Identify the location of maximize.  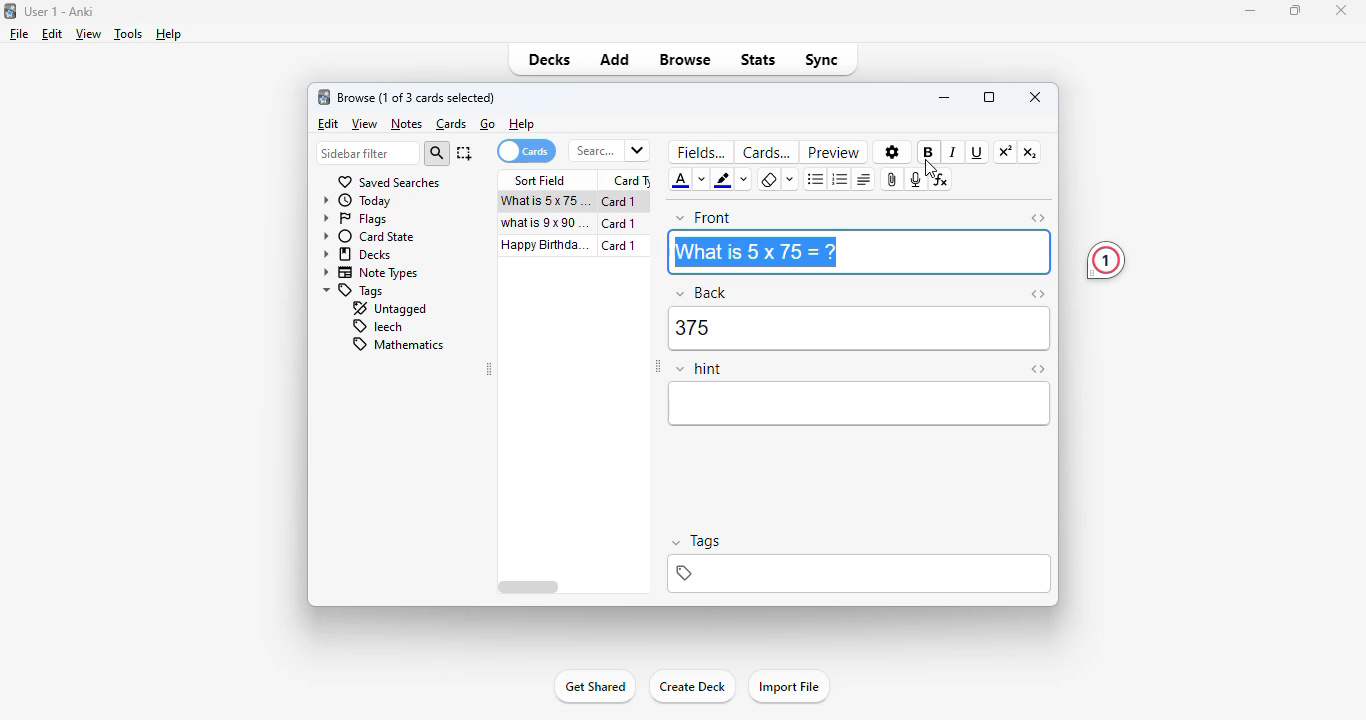
(1296, 10).